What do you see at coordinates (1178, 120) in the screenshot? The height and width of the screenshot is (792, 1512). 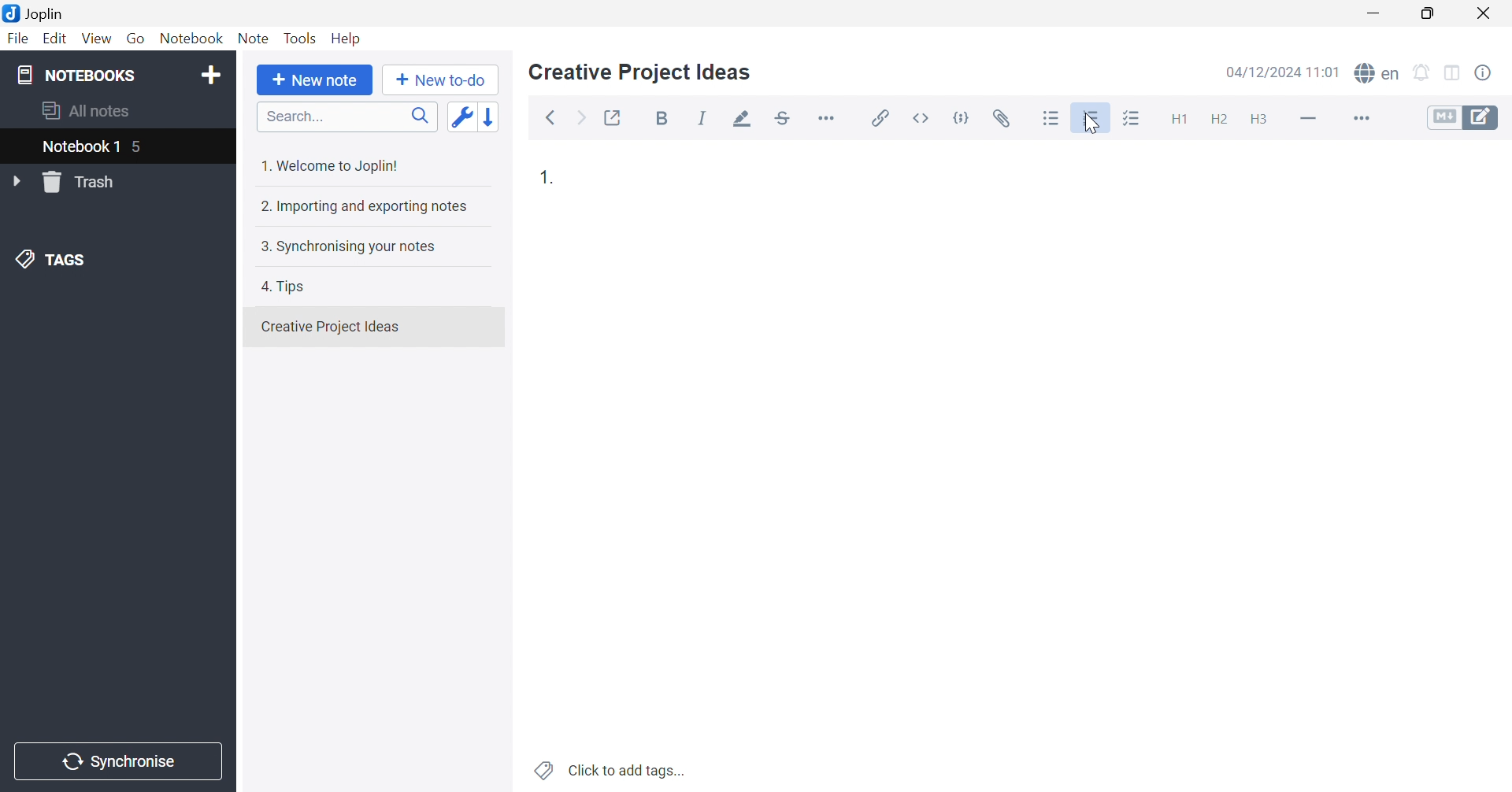 I see `Heading 1` at bounding box center [1178, 120].